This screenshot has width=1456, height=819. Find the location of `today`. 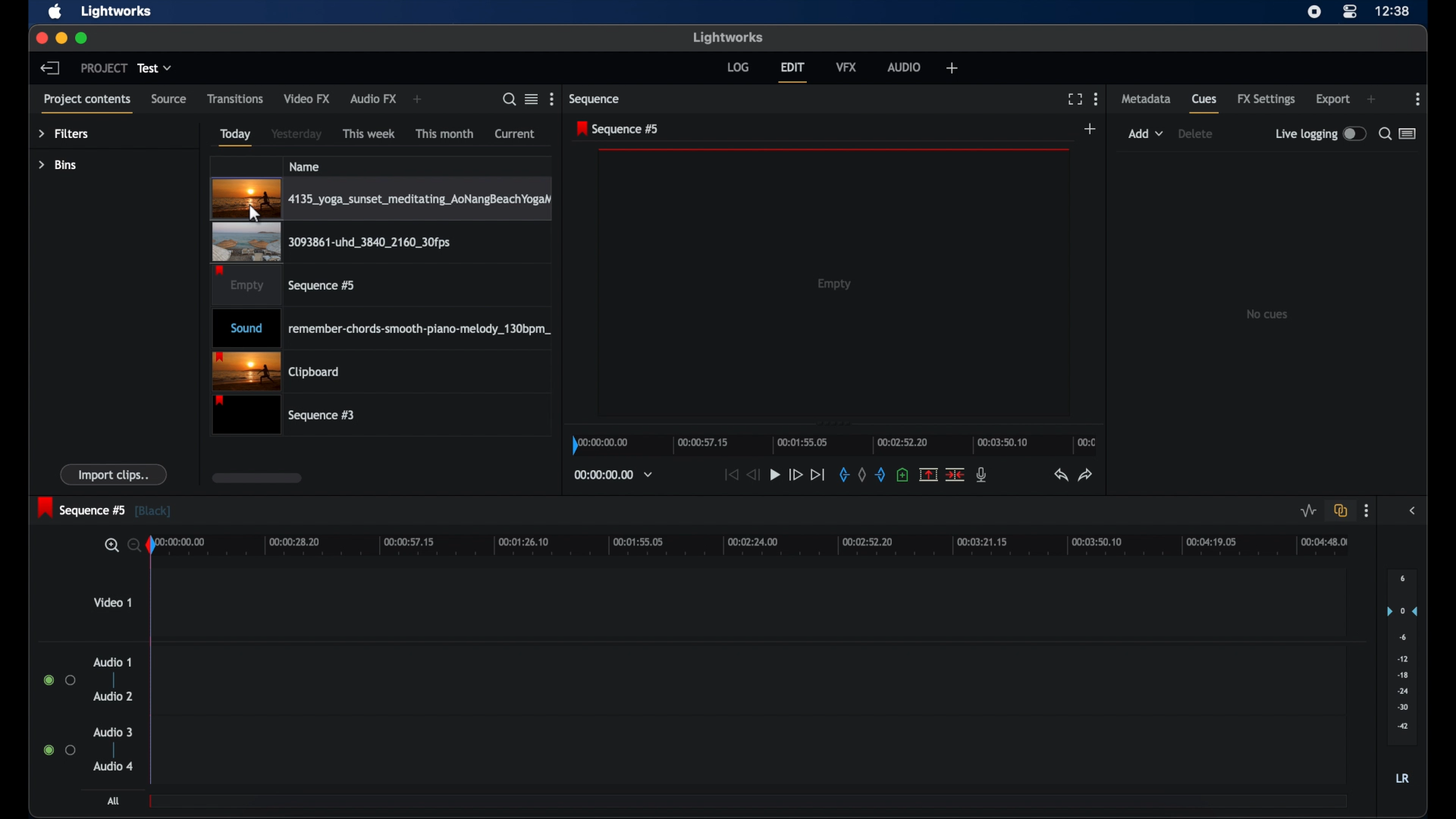

today is located at coordinates (236, 137).